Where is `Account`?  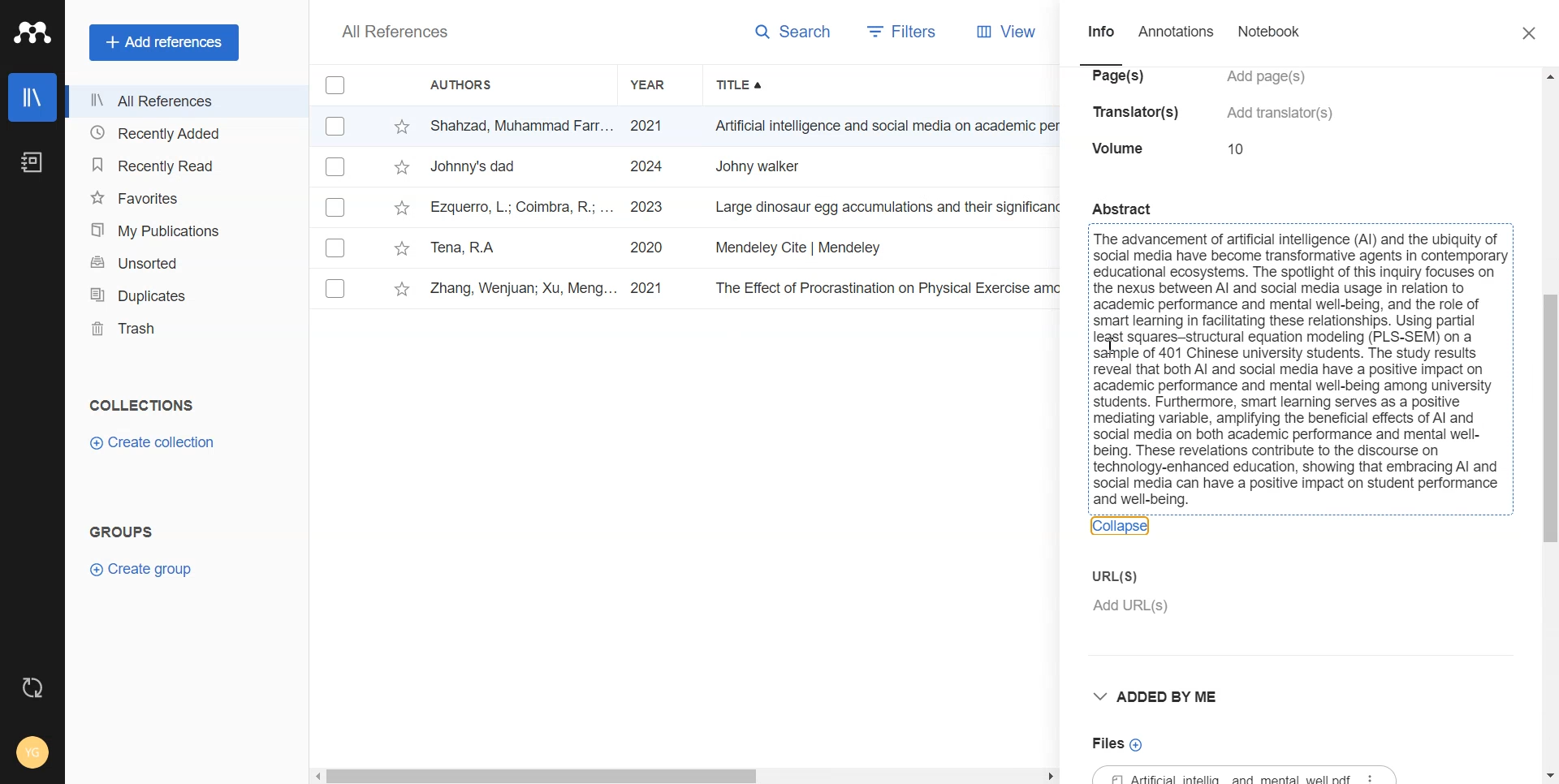
Account is located at coordinates (32, 752).